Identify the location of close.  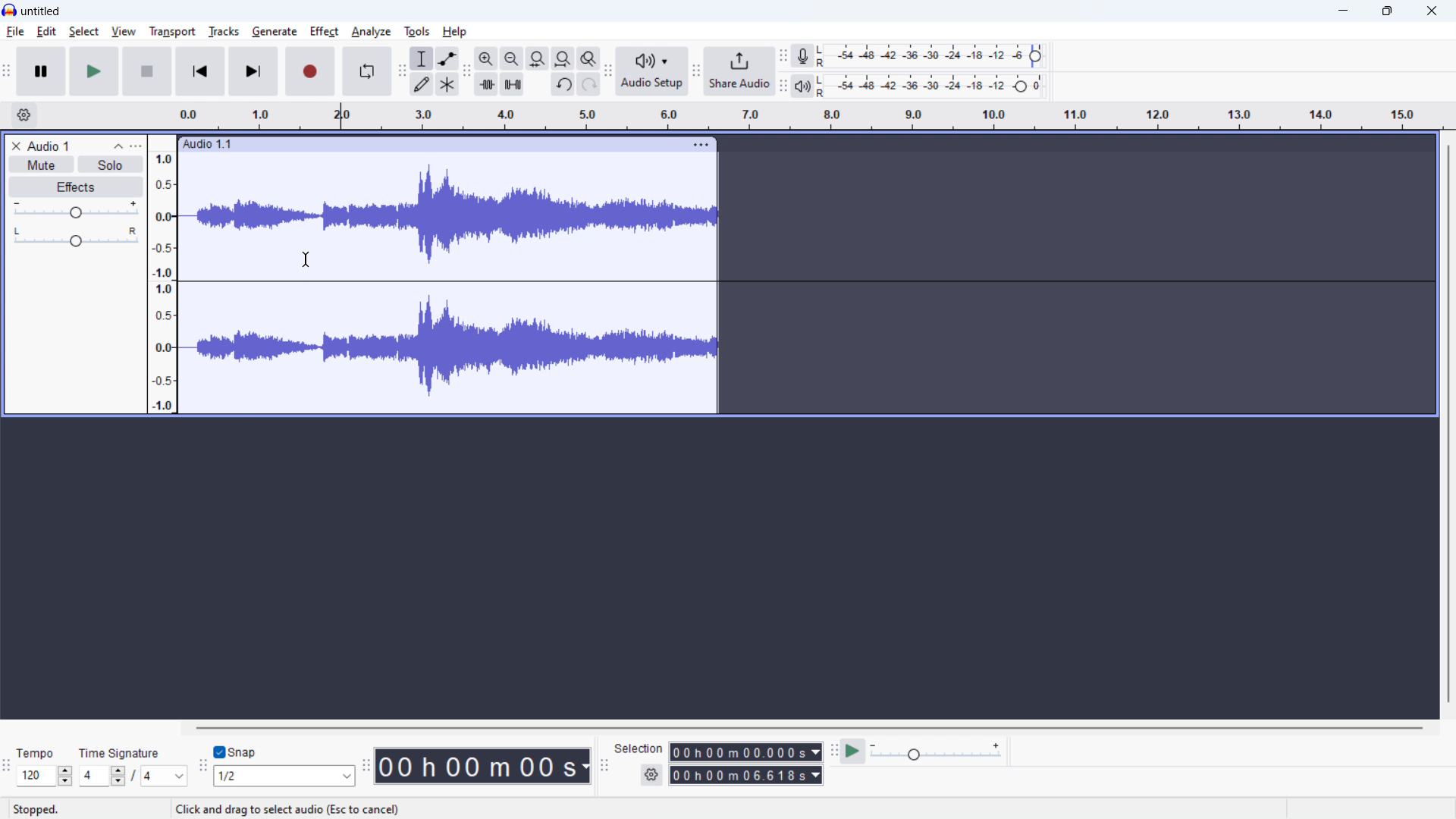
(1432, 11).